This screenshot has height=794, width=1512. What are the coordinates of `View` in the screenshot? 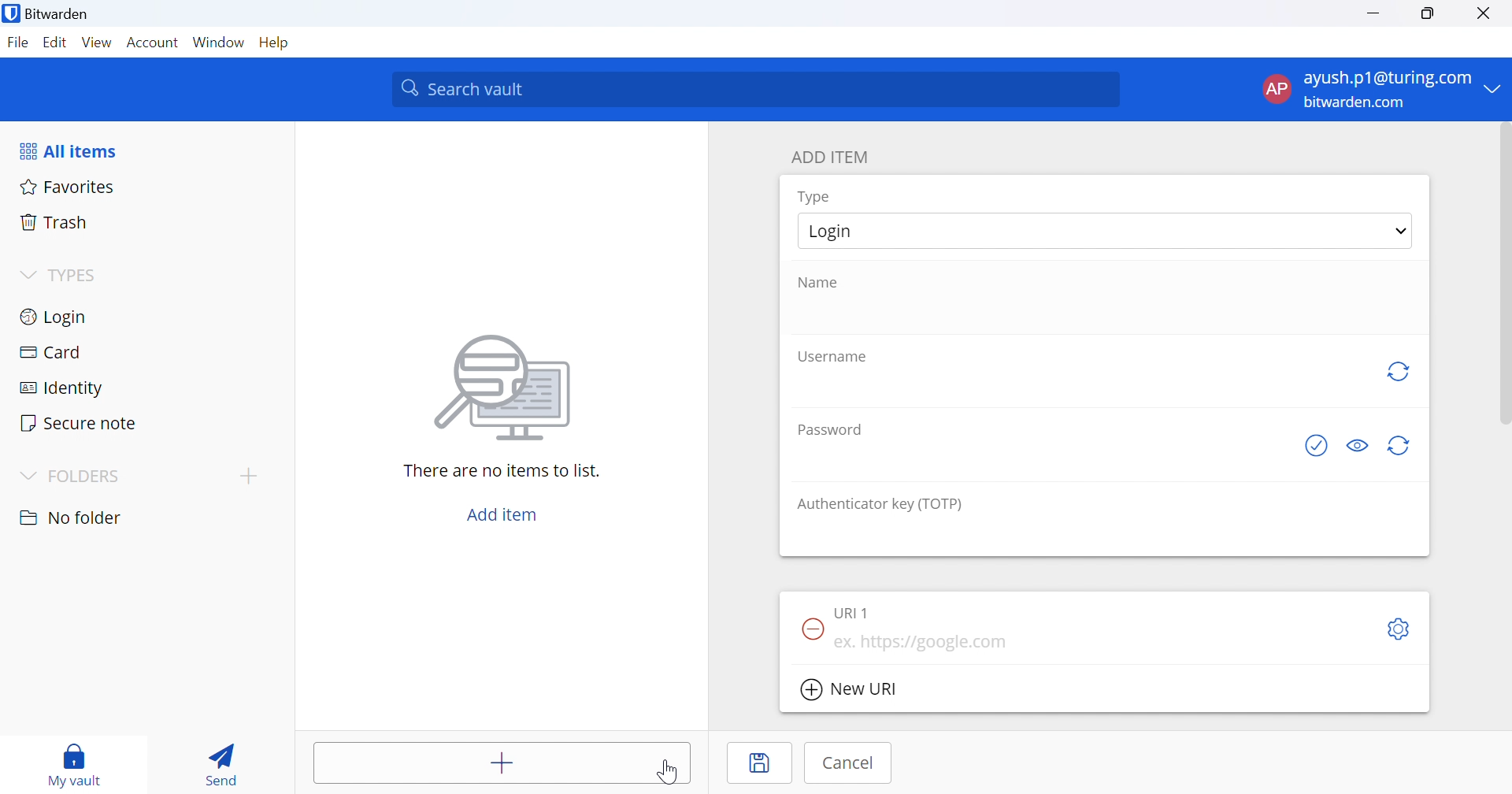 It's located at (96, 42).